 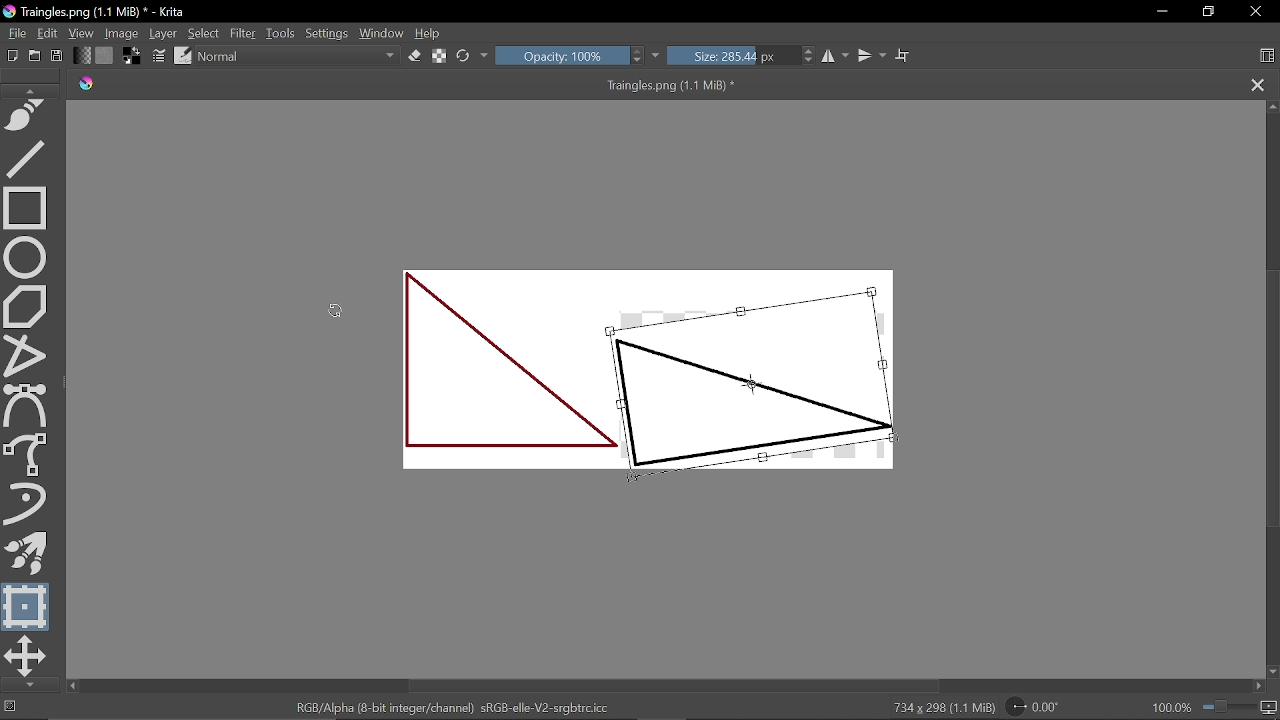 I want to click on Selection rotated, so click(x=788, y=383).